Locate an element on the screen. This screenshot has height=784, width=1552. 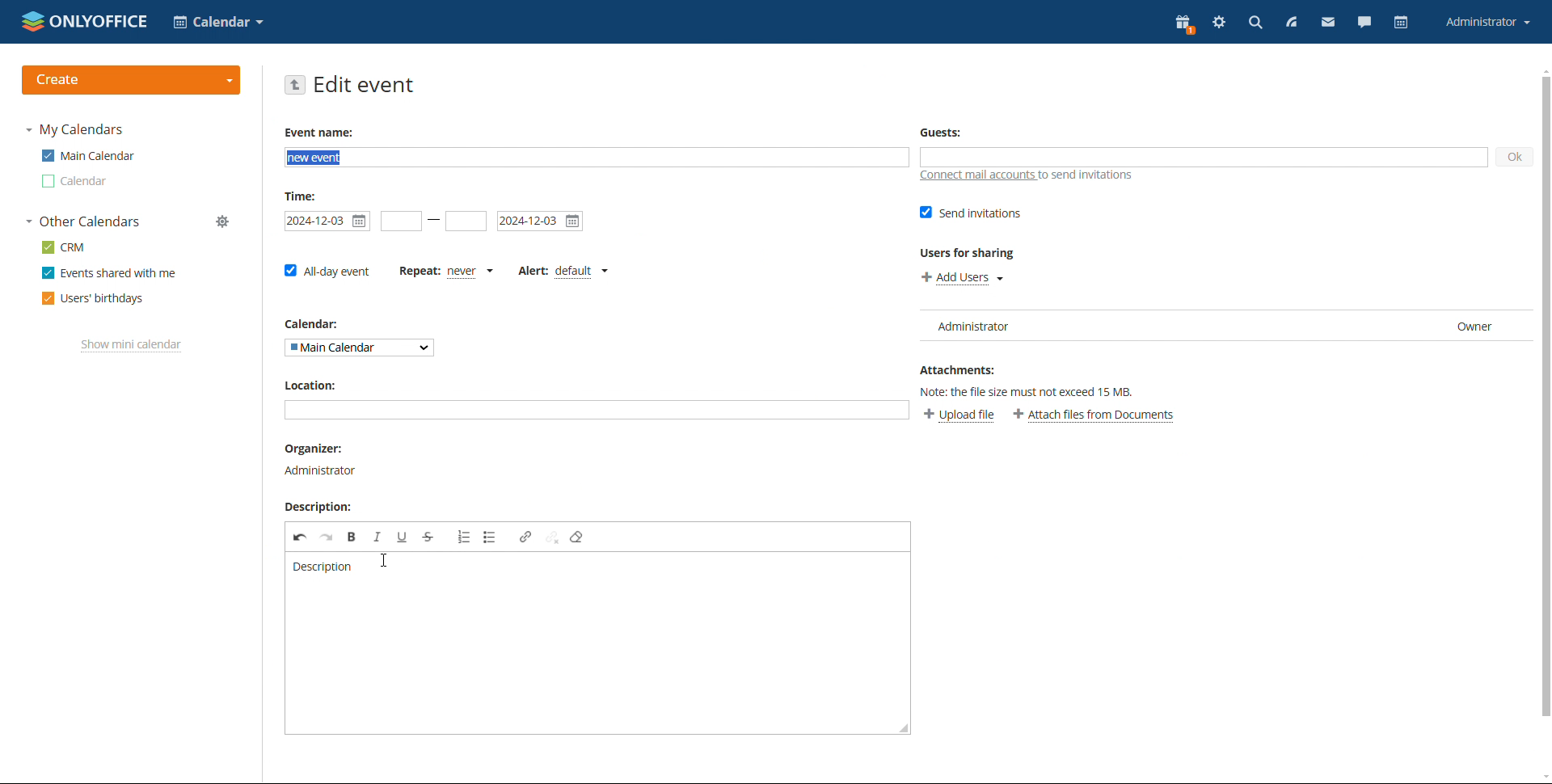
events shared with me is located at coordinates (108, 272).